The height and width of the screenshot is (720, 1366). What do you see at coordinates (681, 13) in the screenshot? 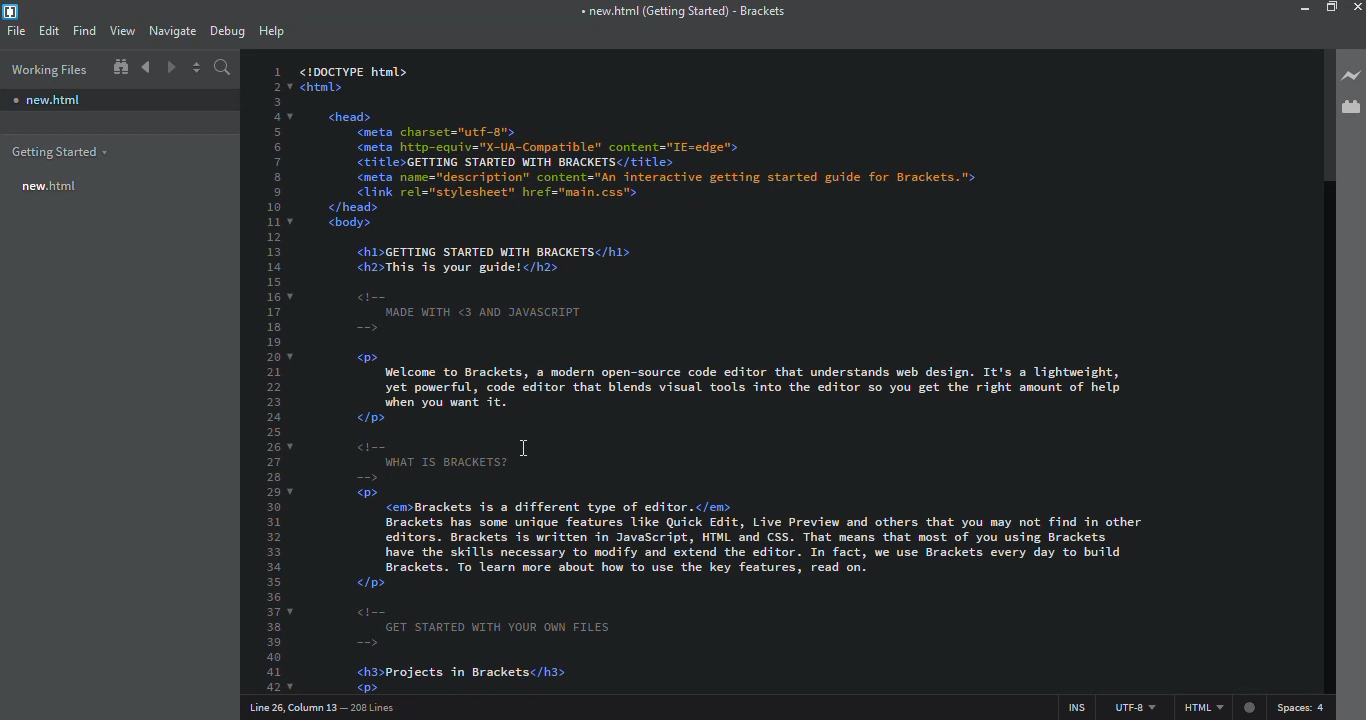
I see `brackets` at bounding box center [681, 13].